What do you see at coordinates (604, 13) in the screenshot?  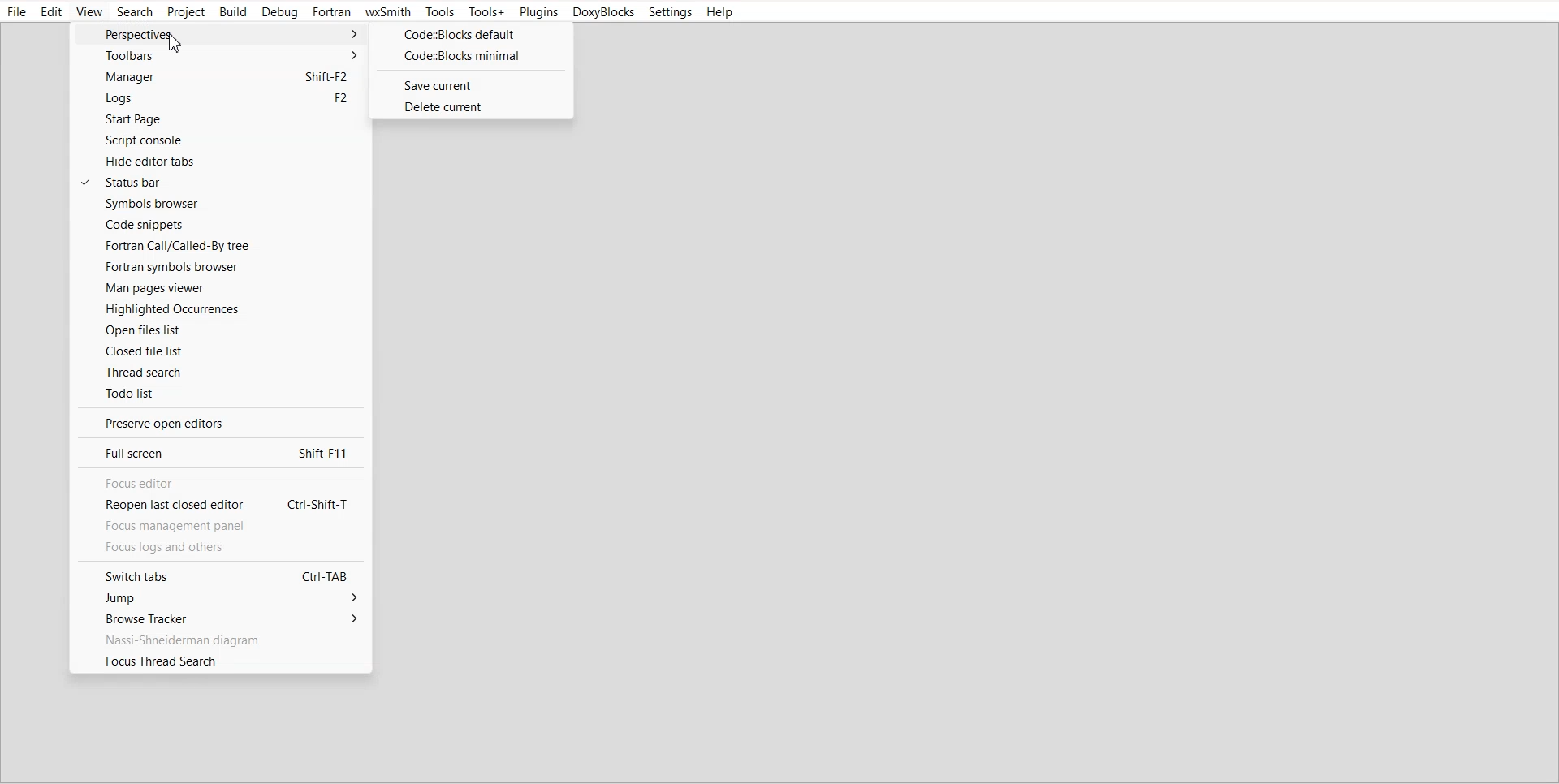 I see `DoxyBlocks` at bounding box center [604, 13].